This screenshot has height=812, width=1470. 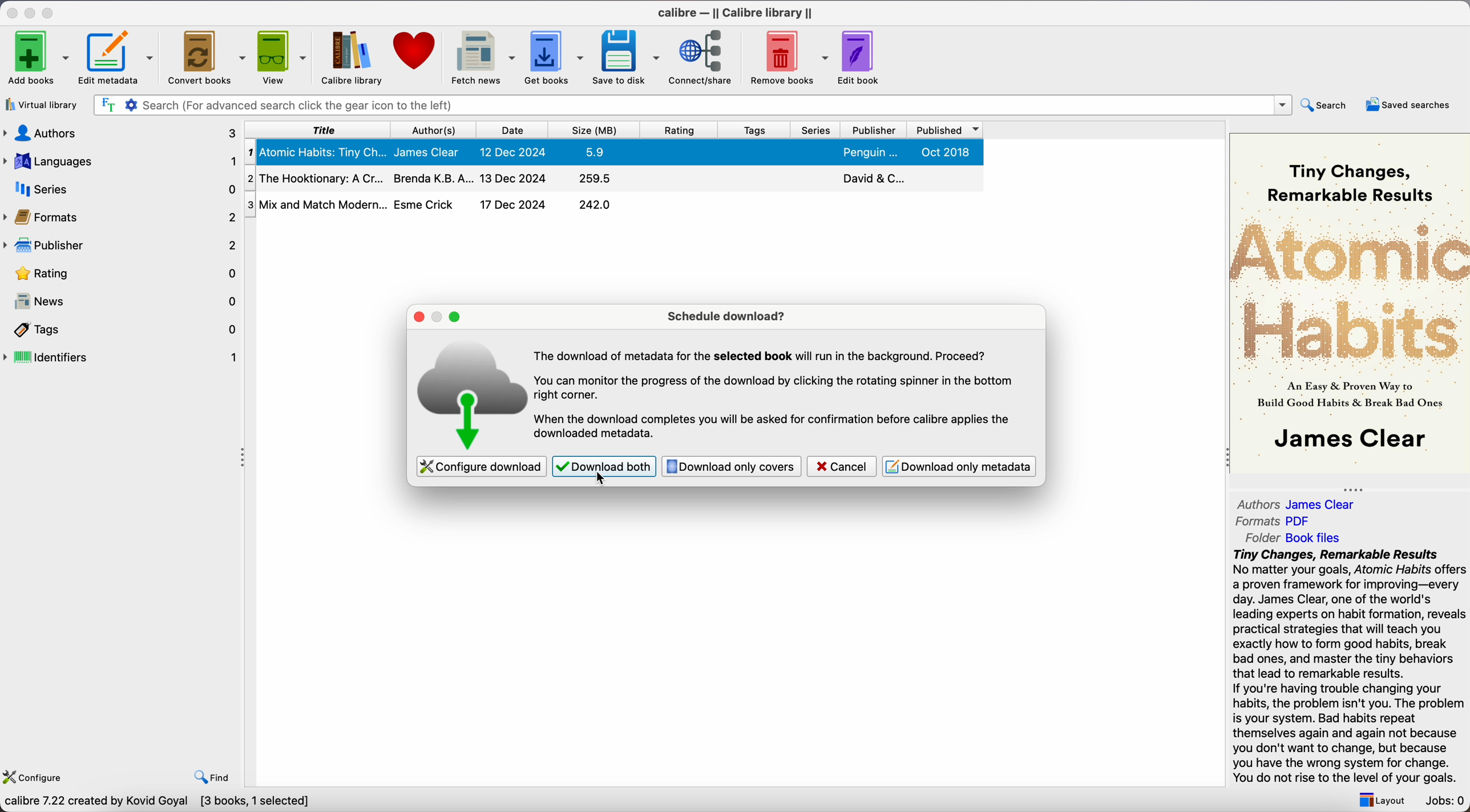 What do you see at coordinates (155, 802) in the screenshot?
I see `calibre 7.22 created by Kovid Goyal [3 books, 1 selected]` at bounding box center [155, 802].